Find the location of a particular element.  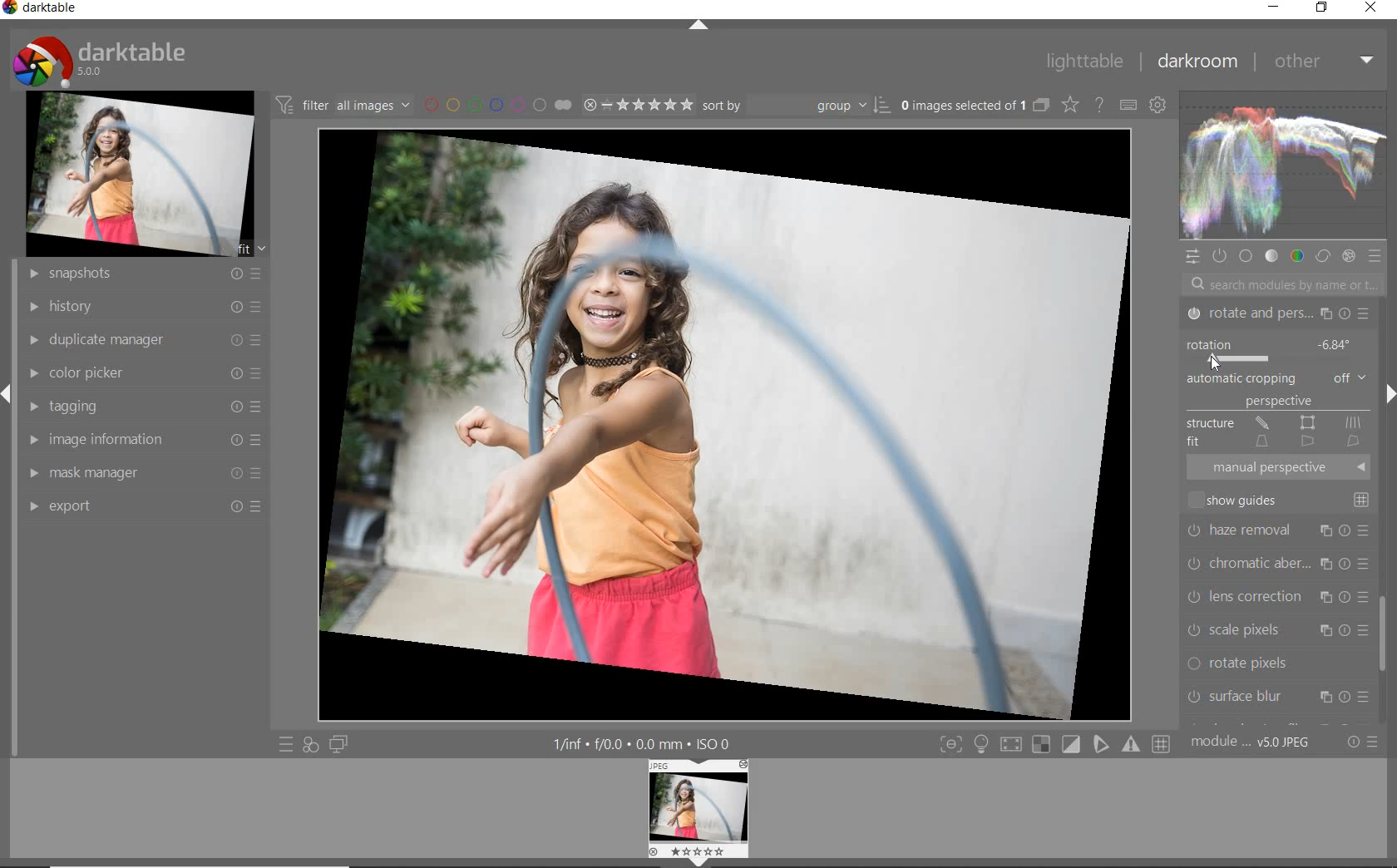

show only active module is located at coordinates (1218, 254).